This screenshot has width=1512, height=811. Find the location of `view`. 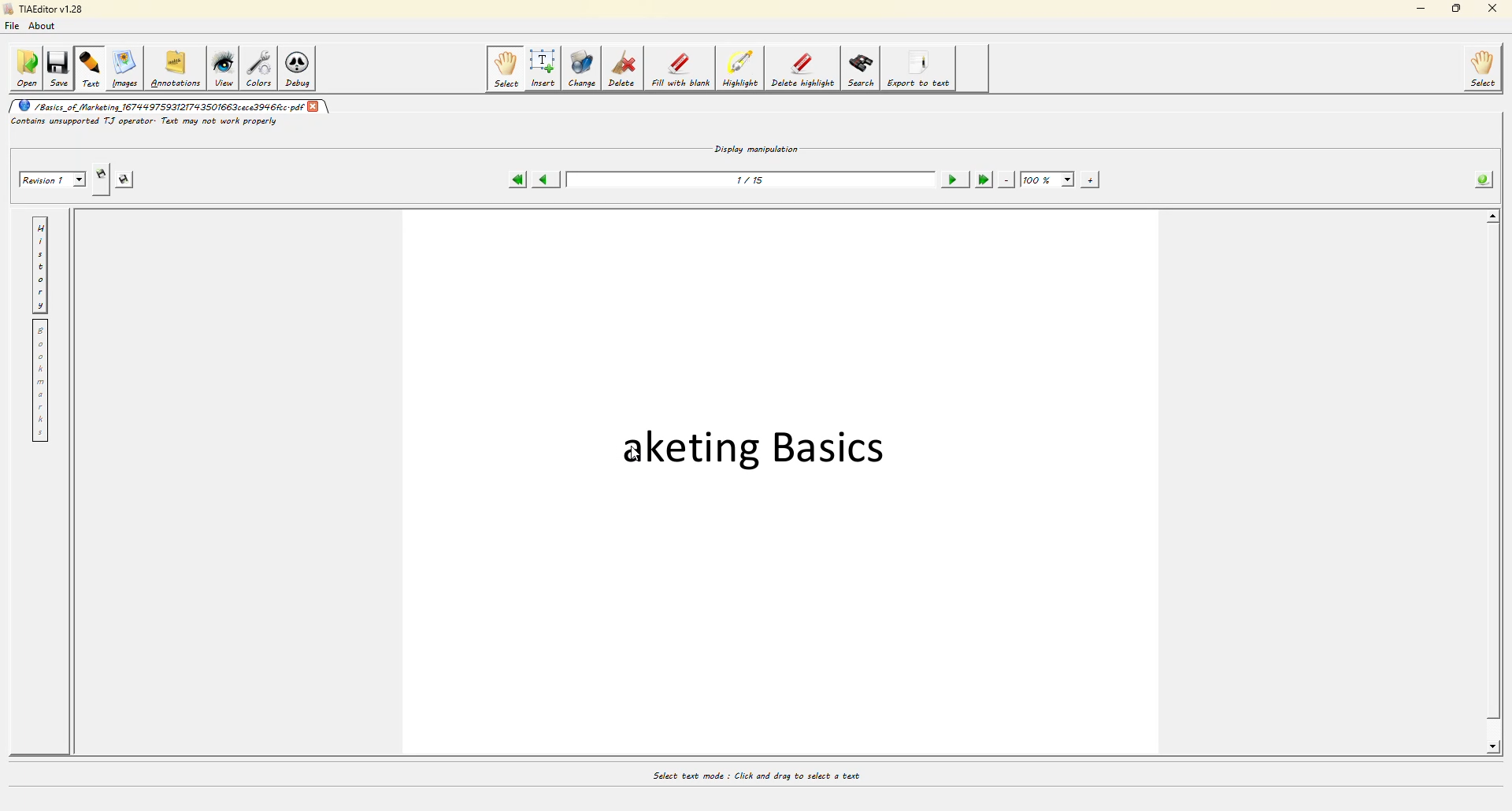

view is located at coordinates (224, 69).